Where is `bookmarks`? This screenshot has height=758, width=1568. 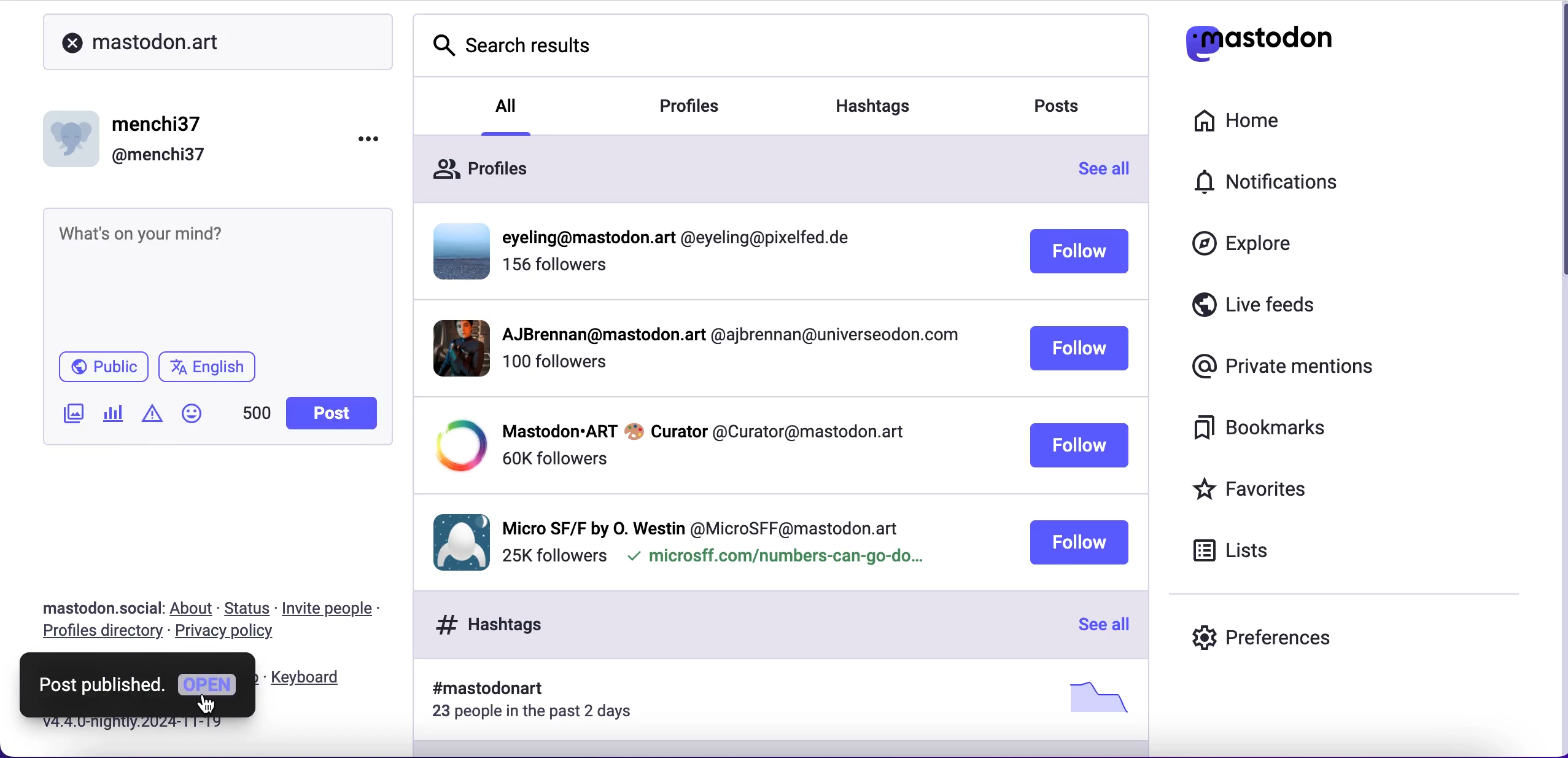
bookmarks is located at coordinates (1269, 432).